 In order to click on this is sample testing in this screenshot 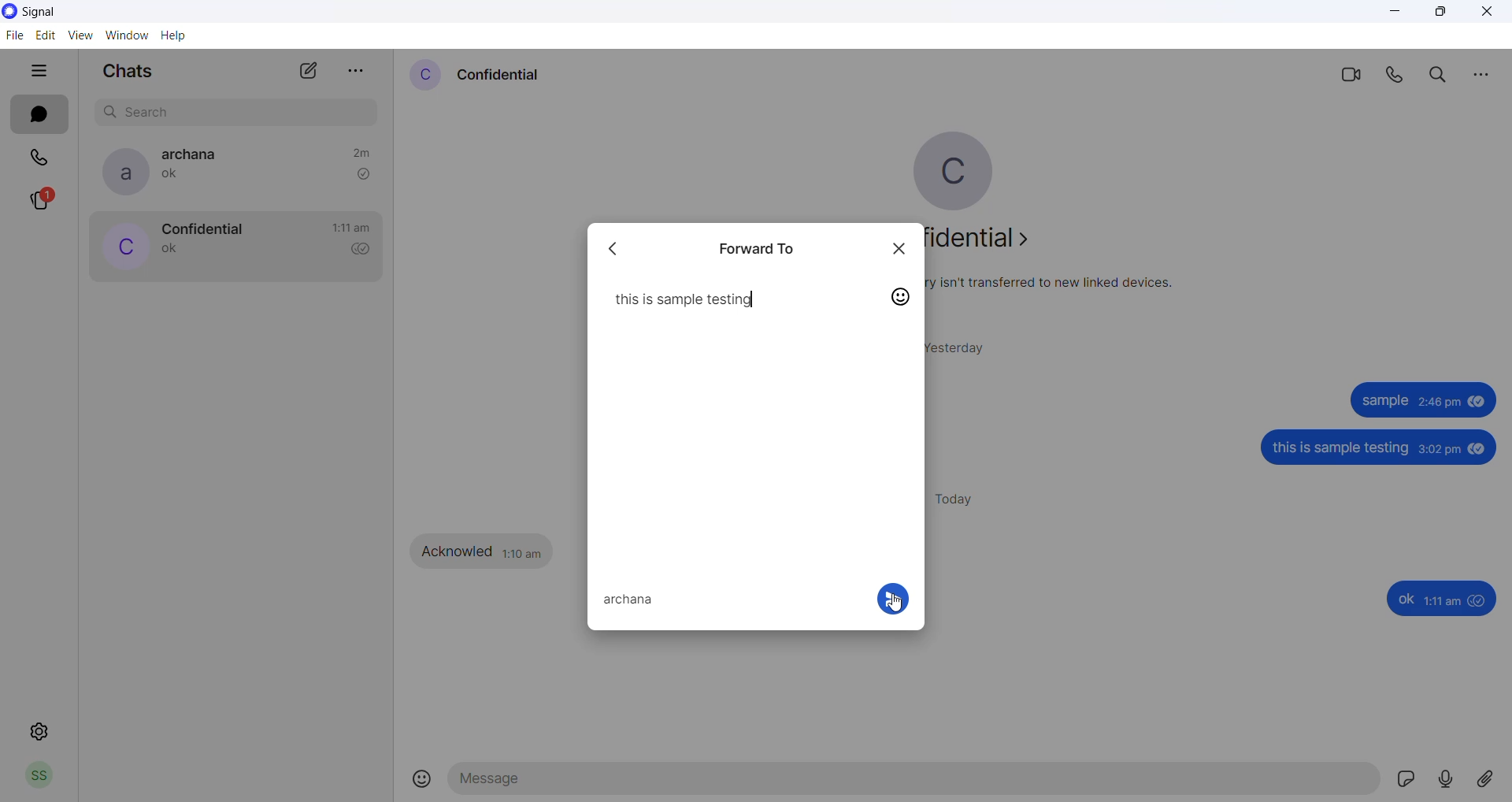, I will do `click(683, 299)`.